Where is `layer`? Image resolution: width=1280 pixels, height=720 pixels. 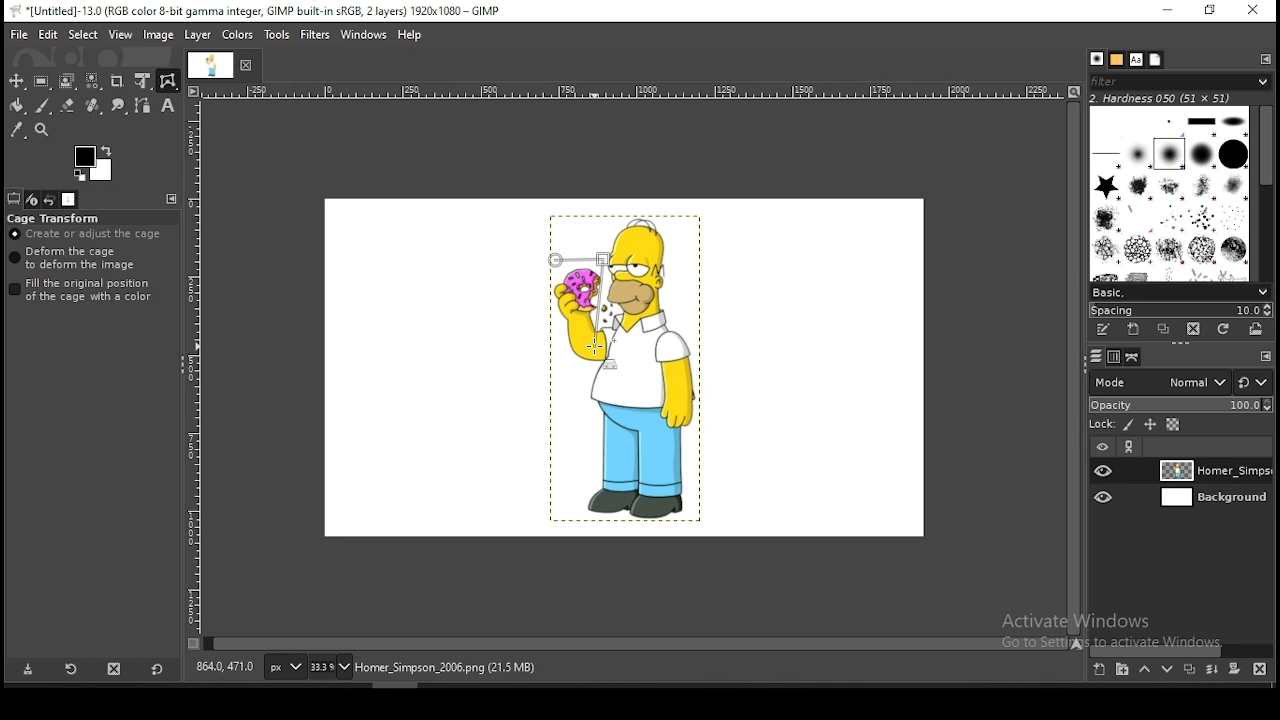
layer is located at coordinates (199, 36).